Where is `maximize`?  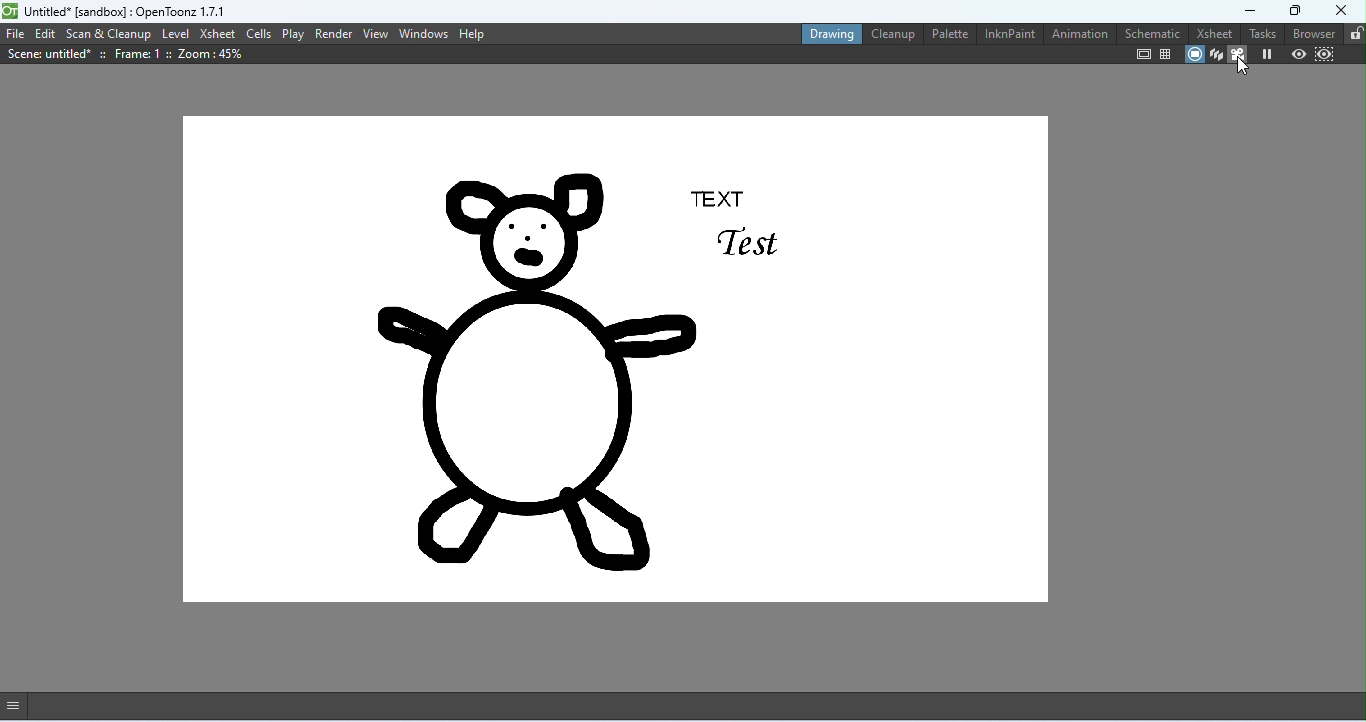 maximize is located at coordinates (1291, 10).